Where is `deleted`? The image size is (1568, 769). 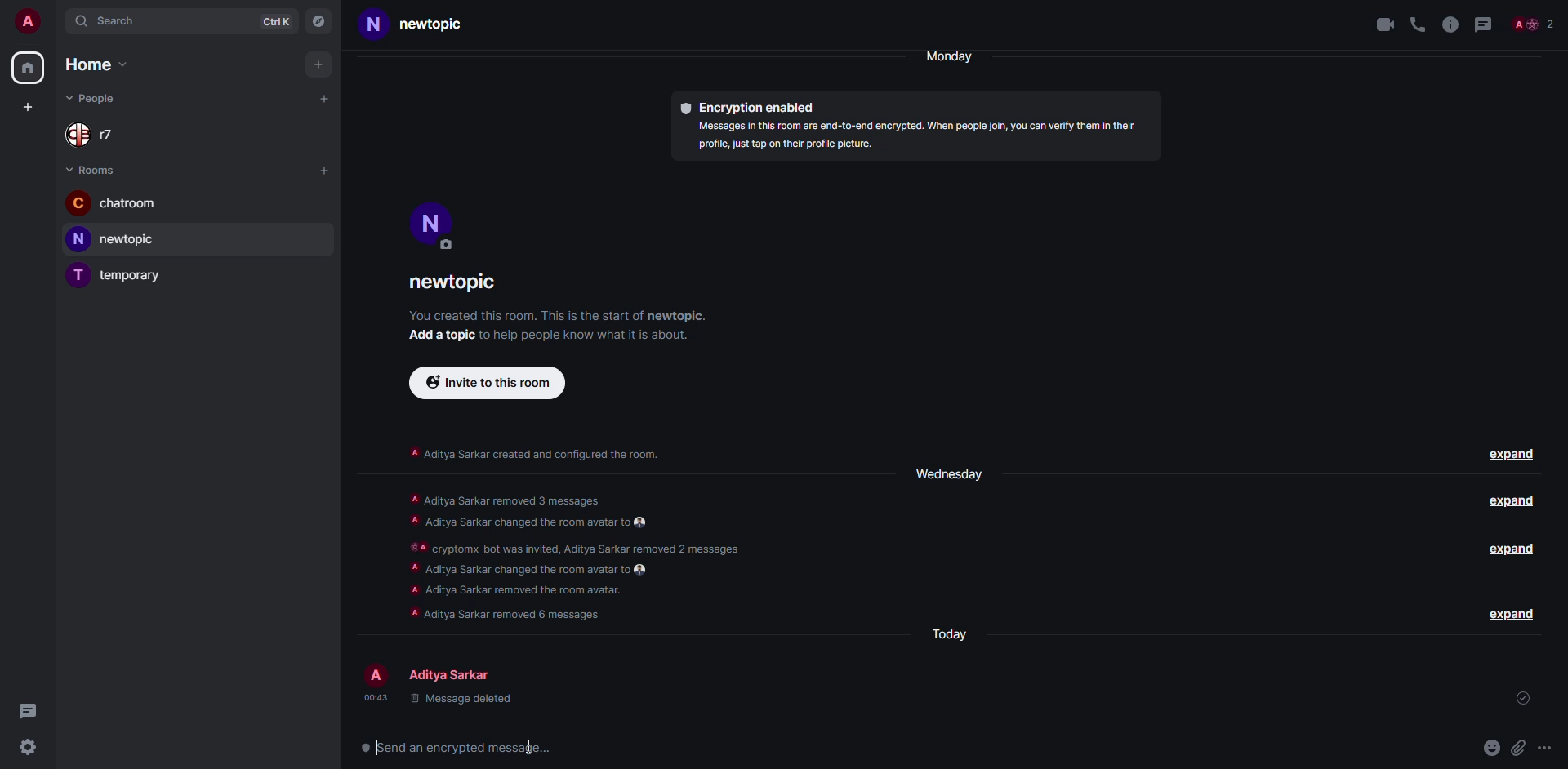
deleted is located at coordinates (461, 700).